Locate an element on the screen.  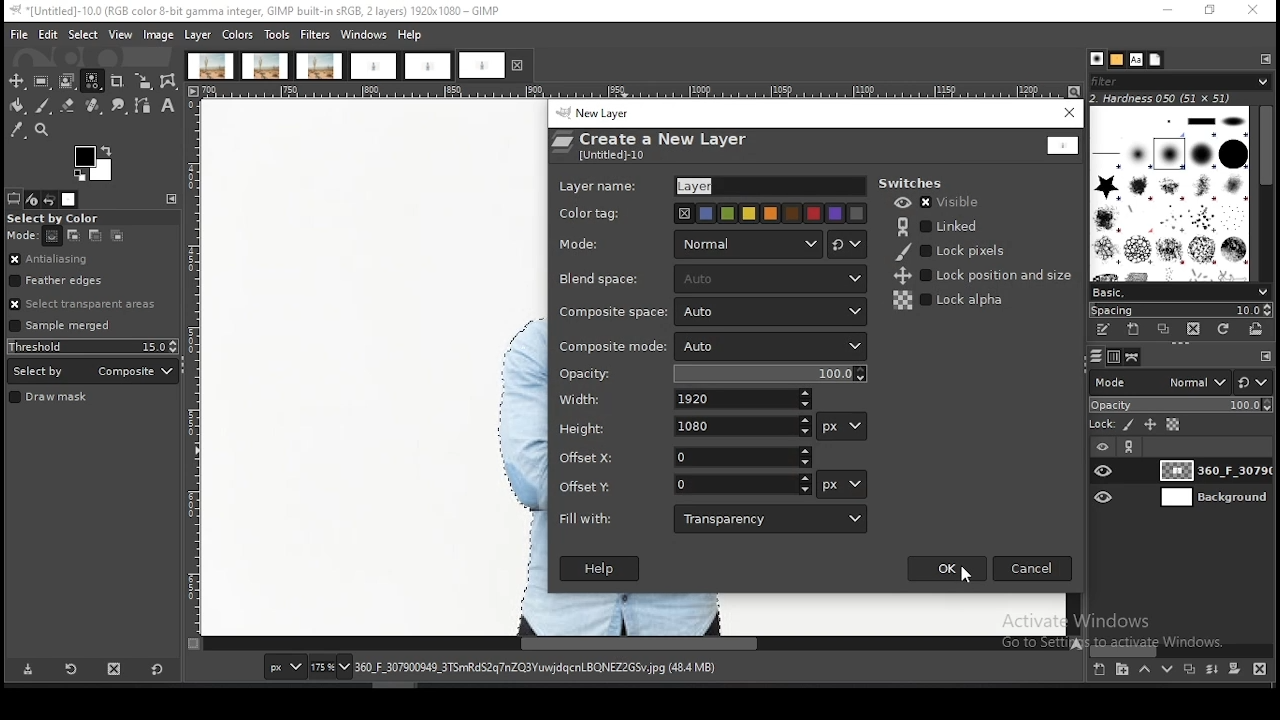
lock position and size is located at coordinates (1149, 426).